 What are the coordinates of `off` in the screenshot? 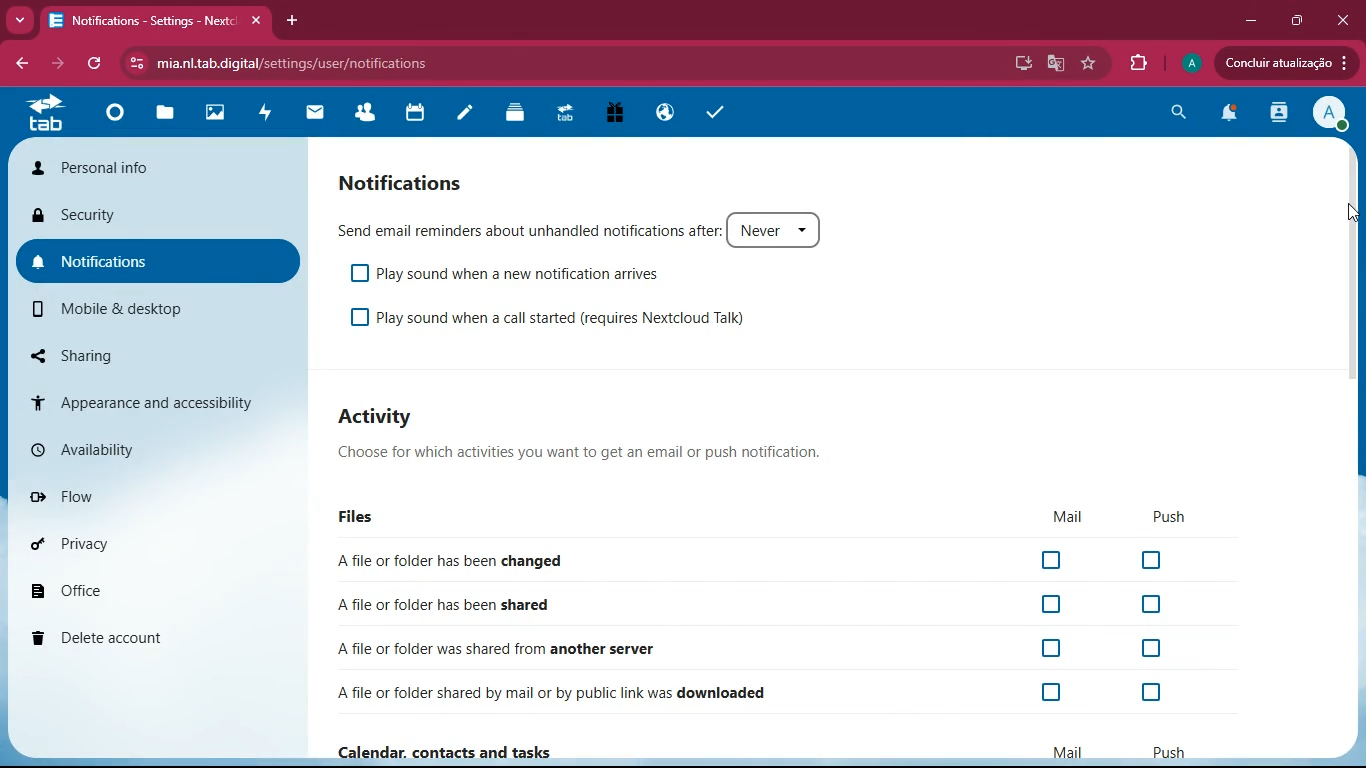 It's located at (1052, 693).